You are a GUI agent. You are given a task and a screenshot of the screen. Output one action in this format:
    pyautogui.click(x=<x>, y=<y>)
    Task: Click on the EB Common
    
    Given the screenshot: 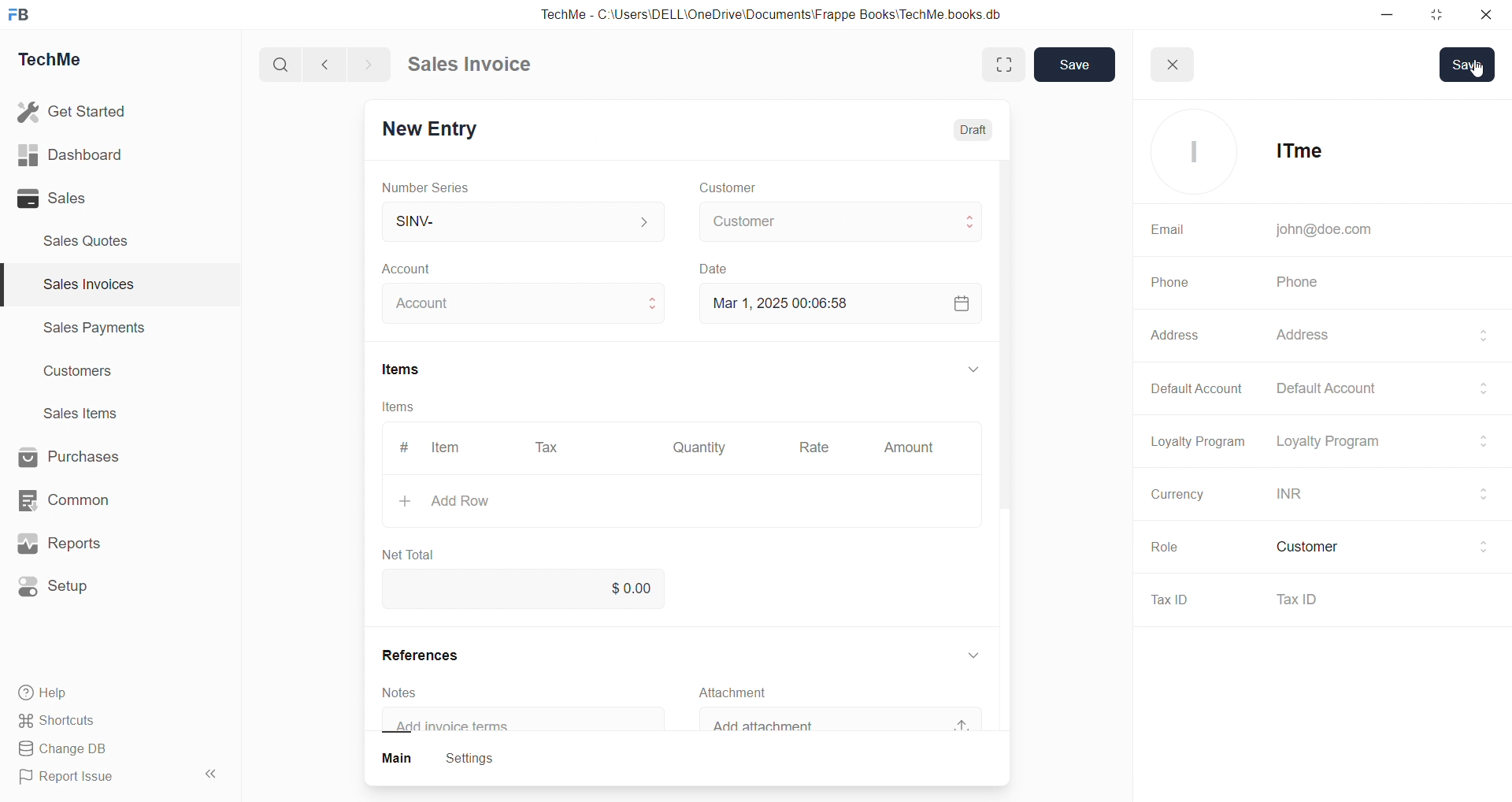 What is the action you would take?
    pyautogui.click(x=80, y=499)
    